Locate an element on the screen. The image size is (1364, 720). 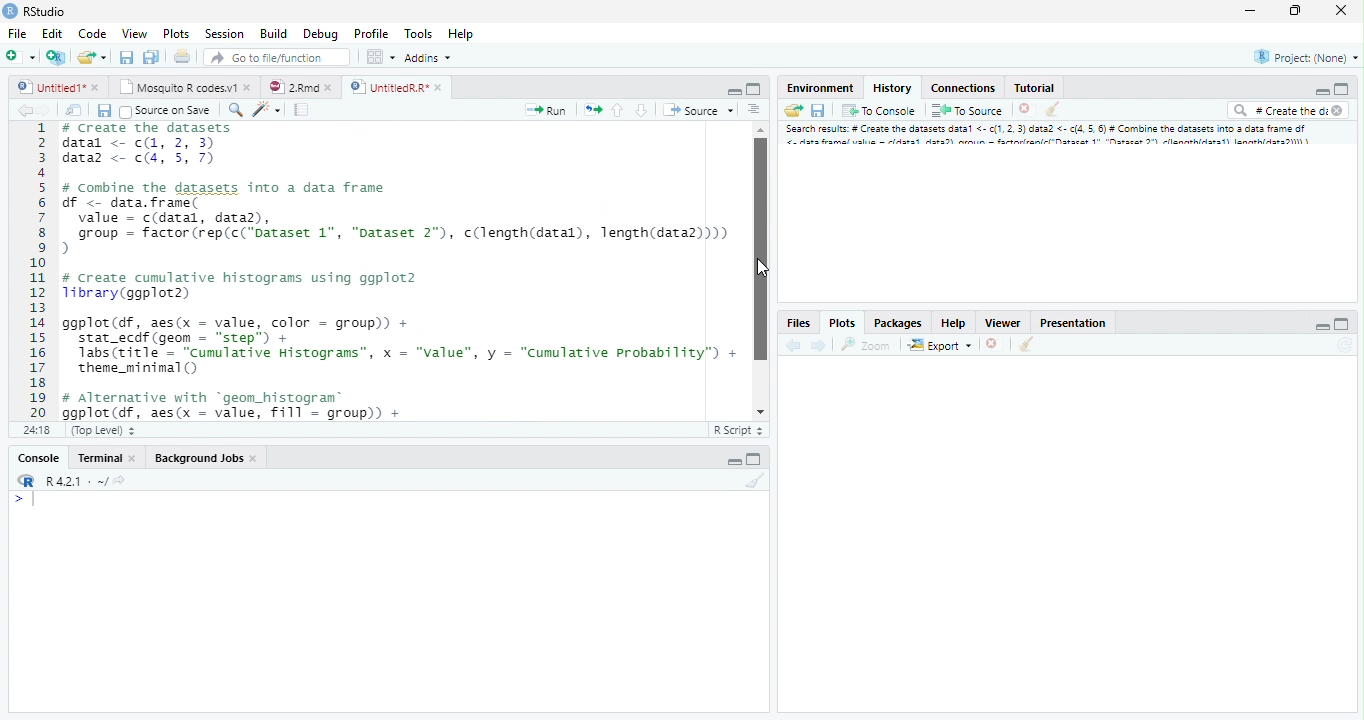
Plots is located at coordinates (176, 35).